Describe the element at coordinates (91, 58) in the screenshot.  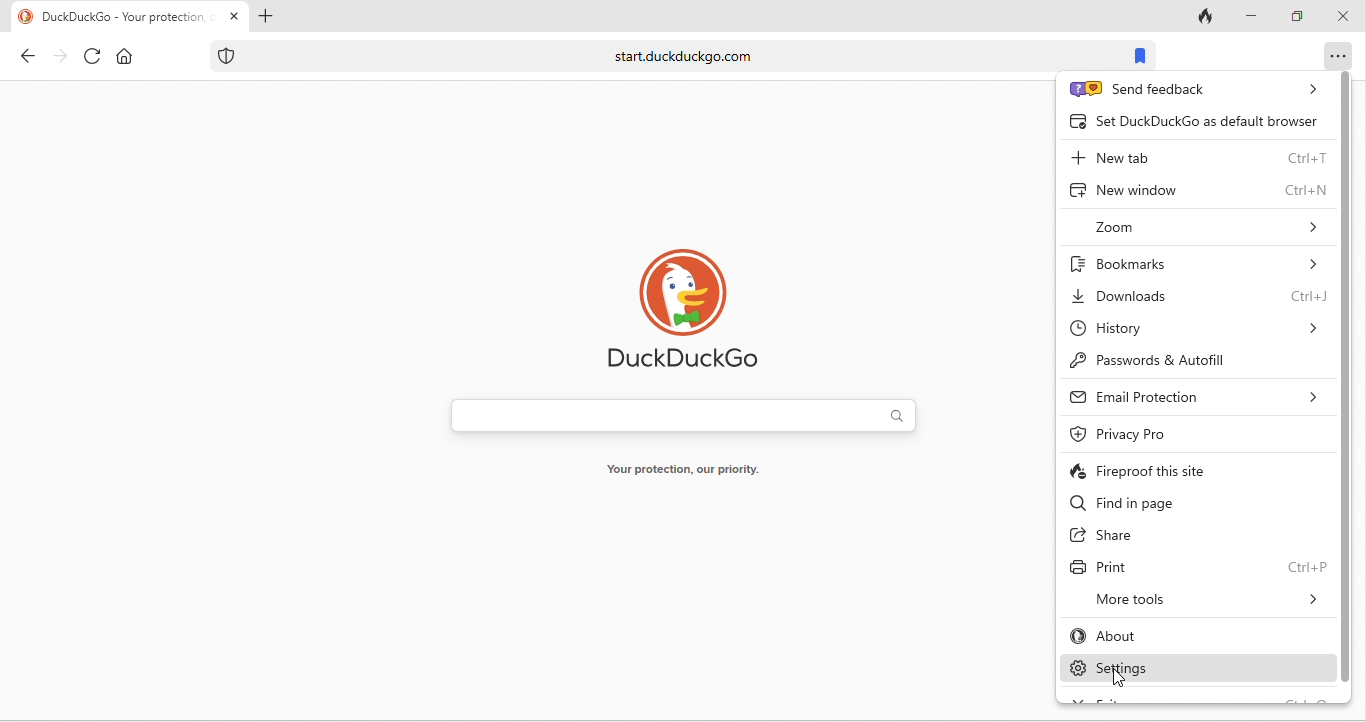
I see `refresh` at that location.